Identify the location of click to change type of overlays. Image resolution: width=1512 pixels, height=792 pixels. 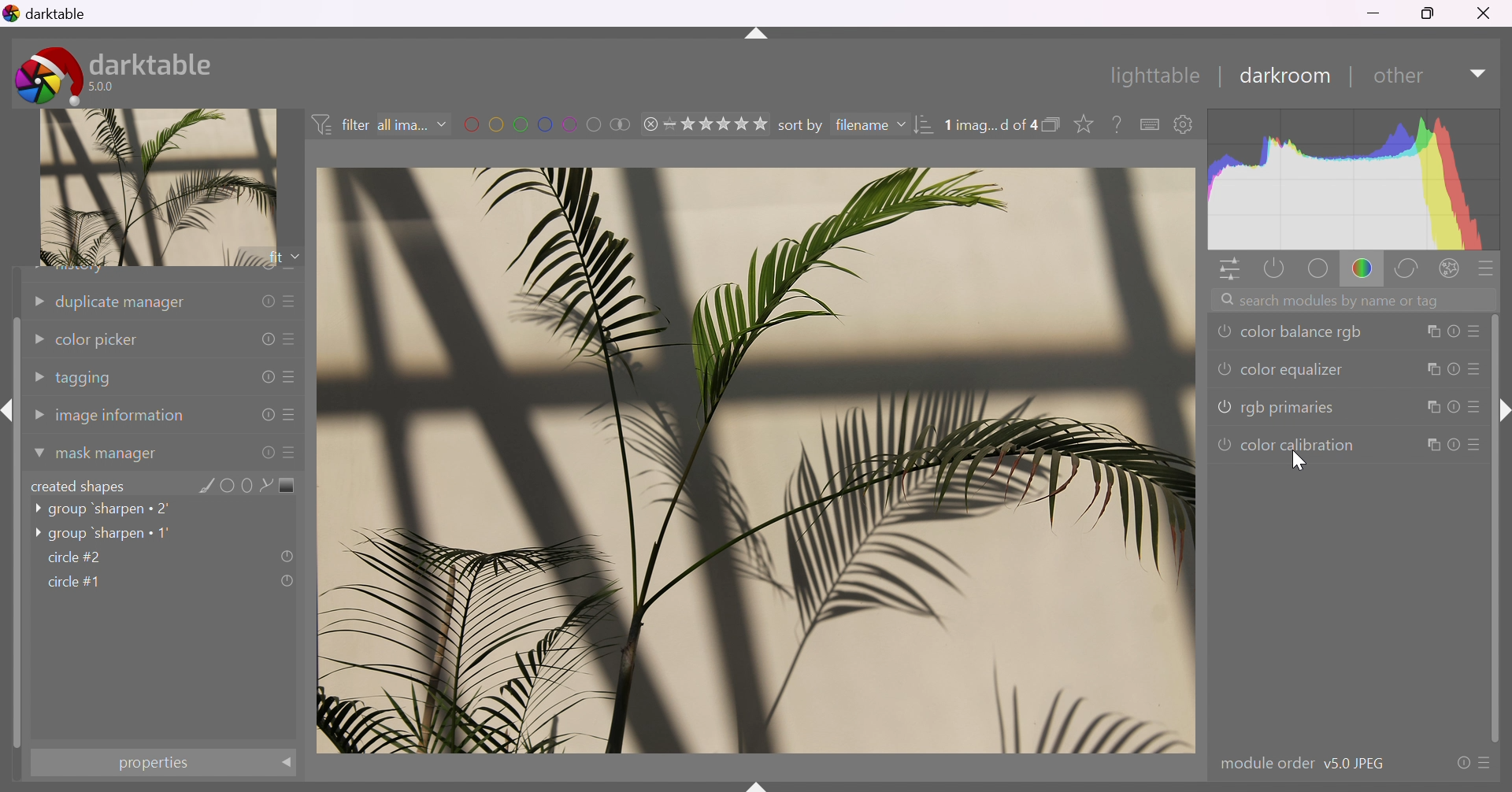
(1086, 125).